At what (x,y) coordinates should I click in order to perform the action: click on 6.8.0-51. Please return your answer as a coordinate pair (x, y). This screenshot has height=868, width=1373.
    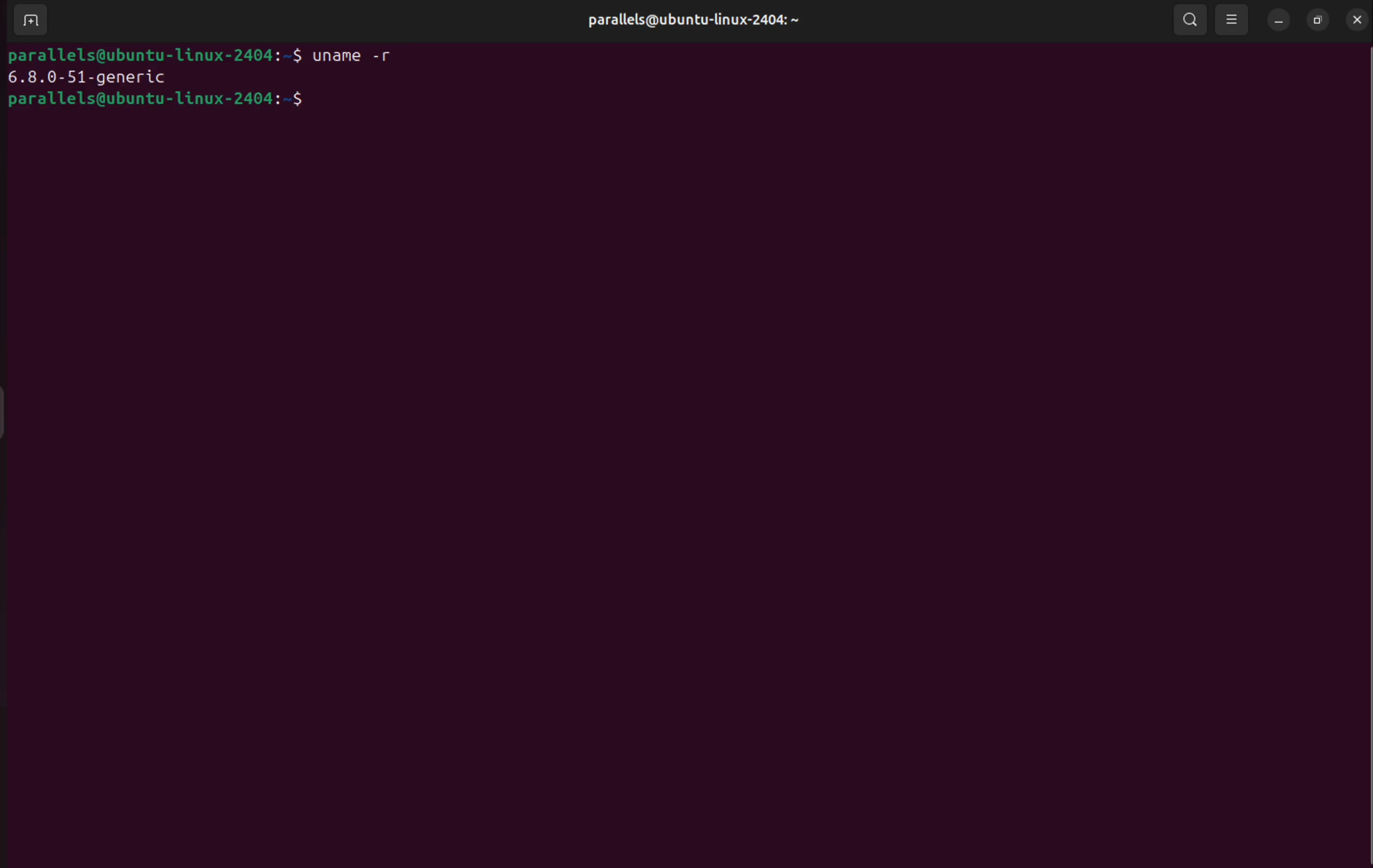
    Looking at the image, I should click on (46, 77).